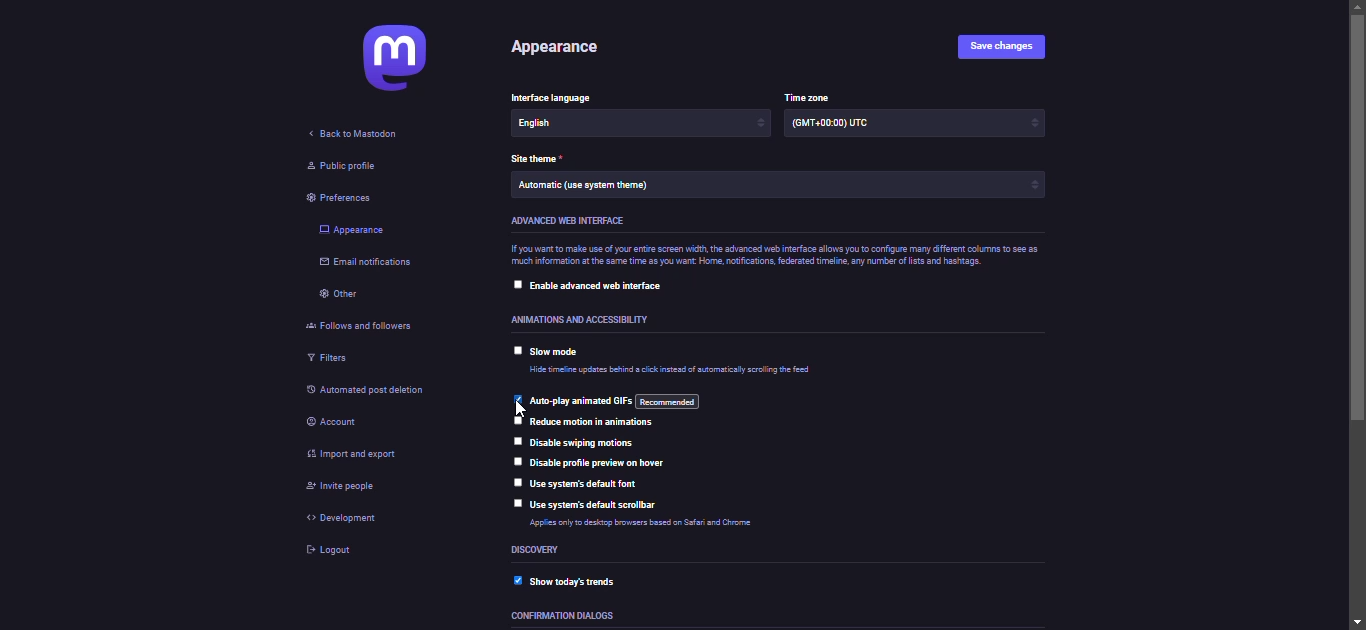 Image resolution: width=1366 pixels, height=630 pixels. What do you see at coordinates (552, 94) in the screenshot?
I see `language` at bounding box center [552, 94].